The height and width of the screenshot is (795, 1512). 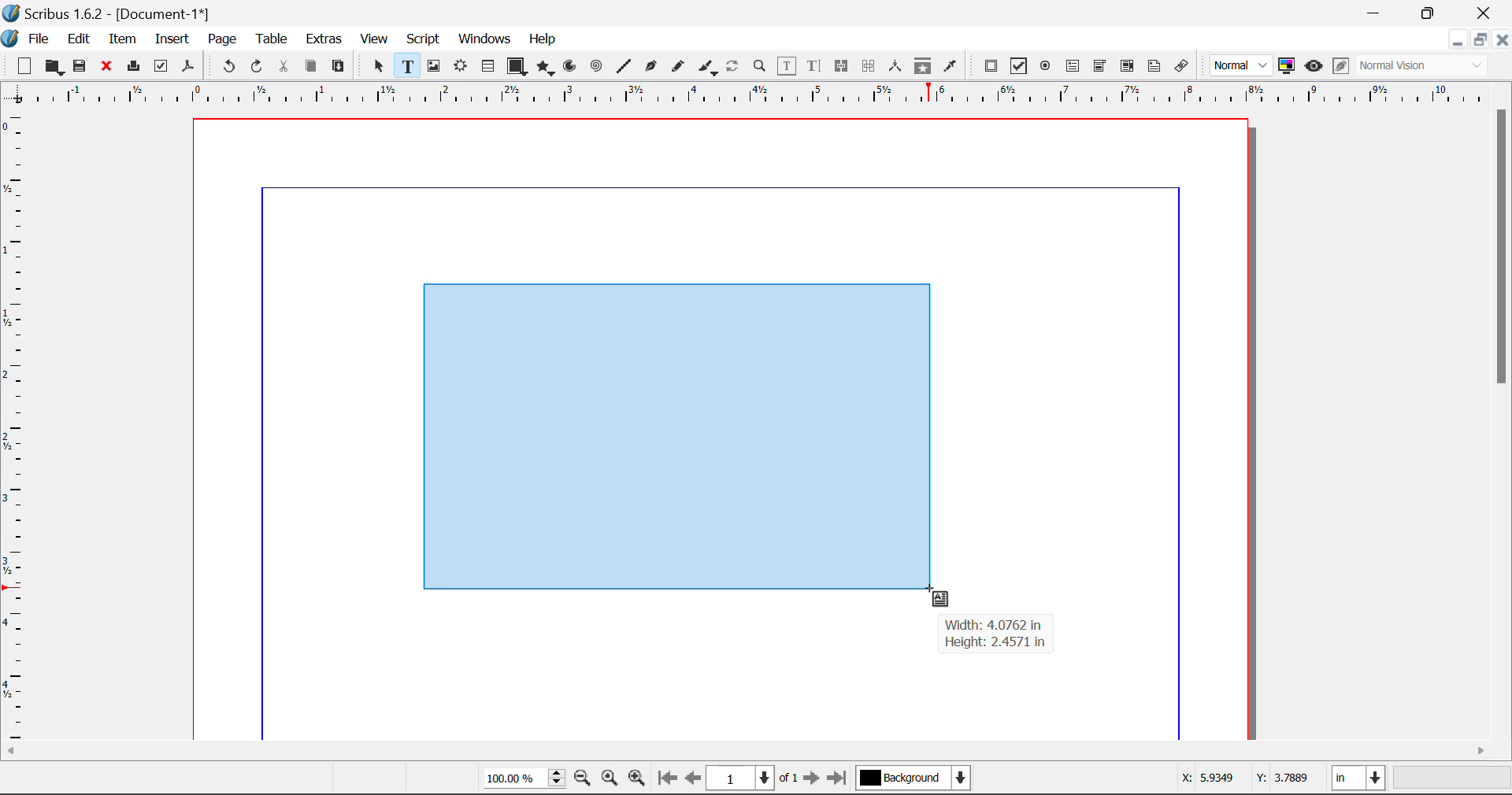 What do you see at coordinates (842, 66) in the screenshot?
I see `Link Frames` at bounding box center [842, 66].